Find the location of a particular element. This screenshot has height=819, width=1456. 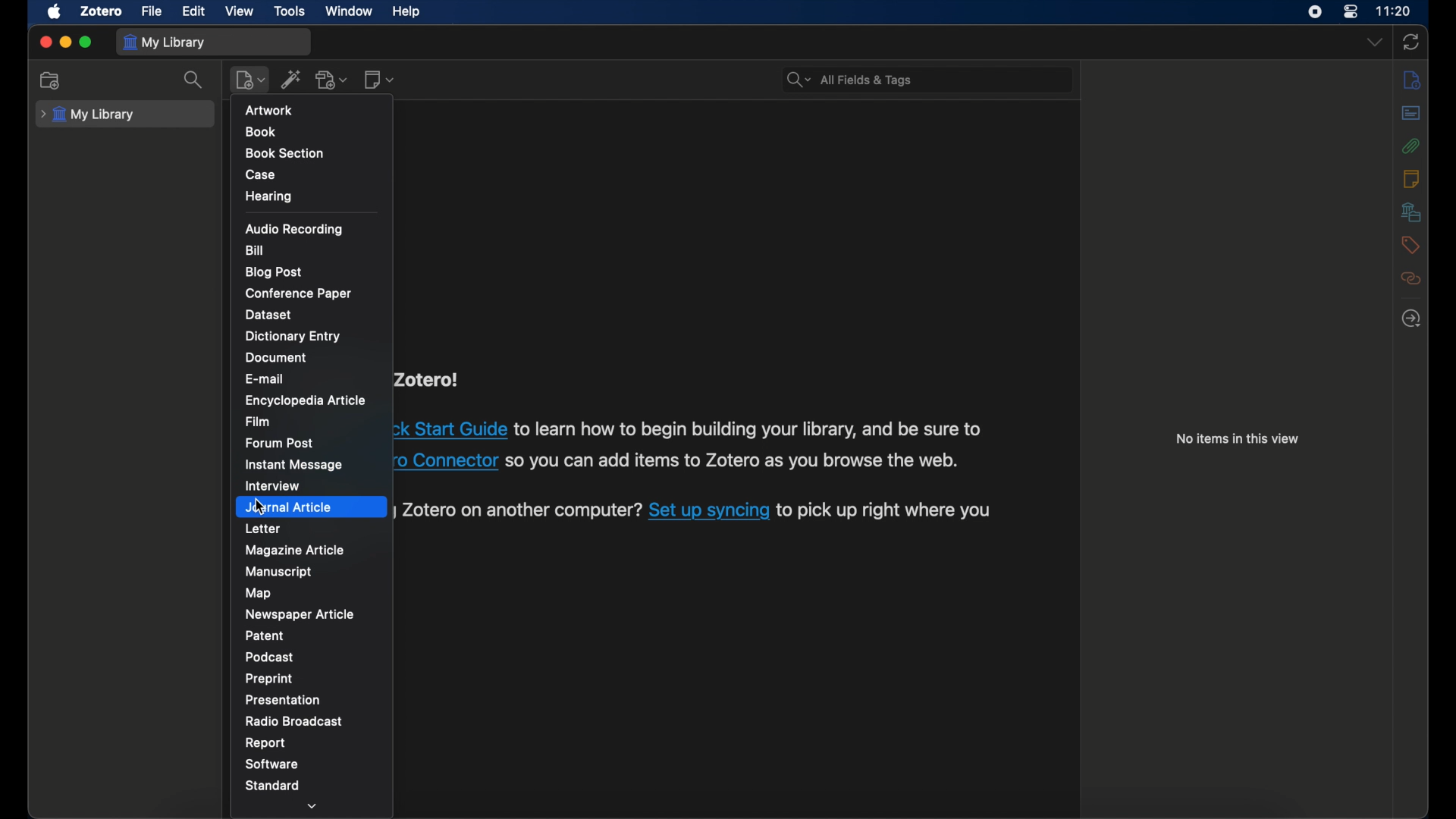

add item by identifier is located at coordinates (293, 79).